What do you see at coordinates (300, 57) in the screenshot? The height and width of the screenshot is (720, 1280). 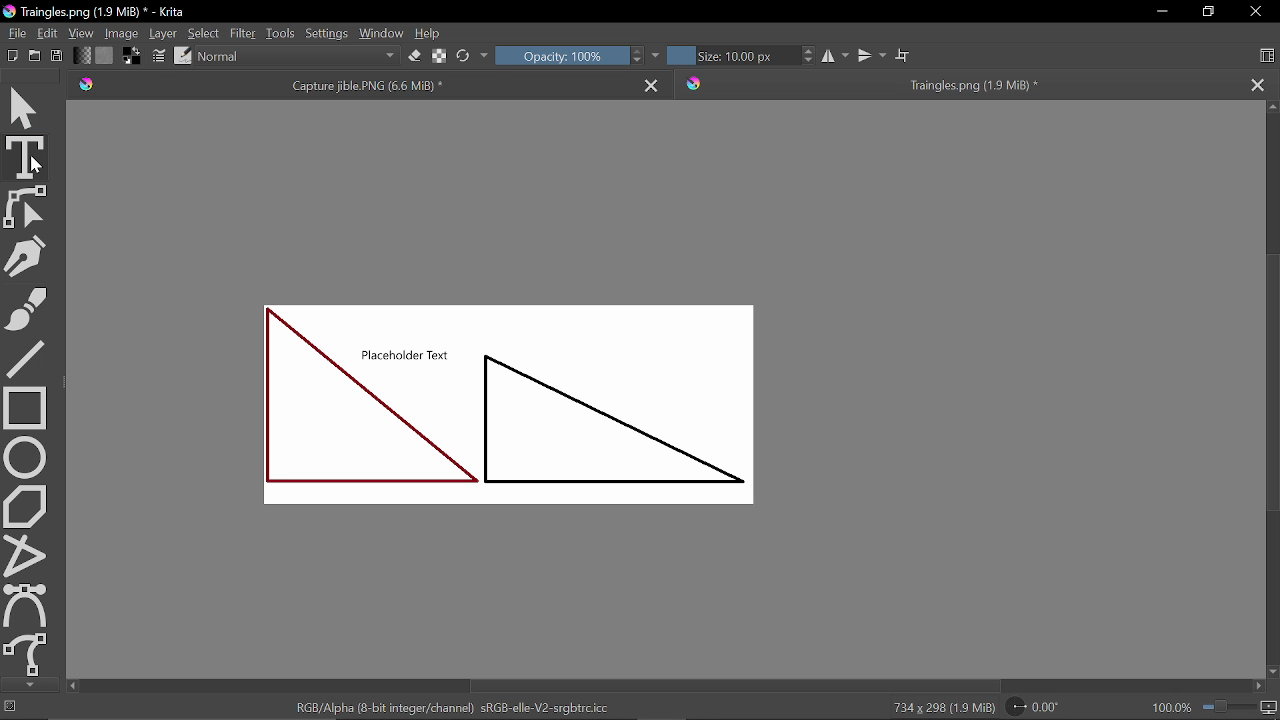 I see `Normal` at bounding box center [300, 57].